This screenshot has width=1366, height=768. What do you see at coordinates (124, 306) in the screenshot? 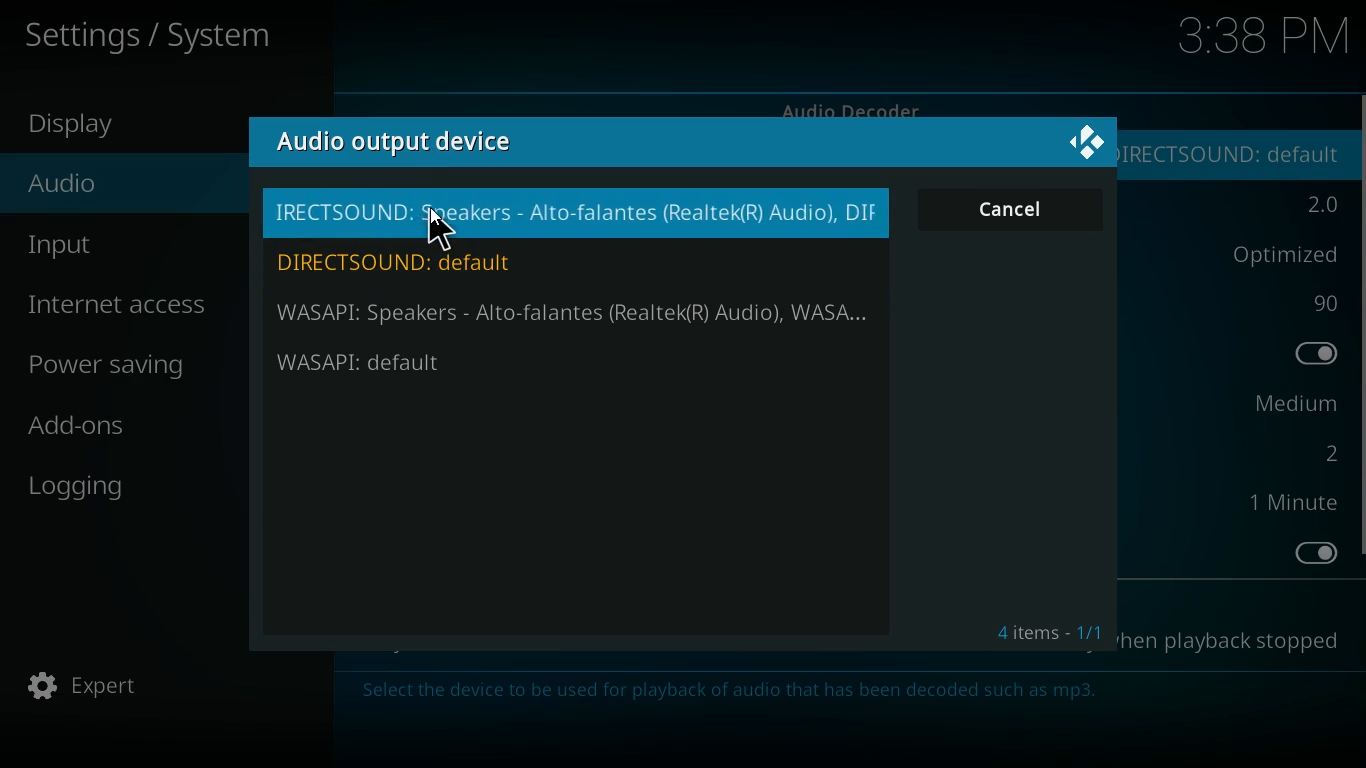
I see `internet access` at bounding box center [124, 306].